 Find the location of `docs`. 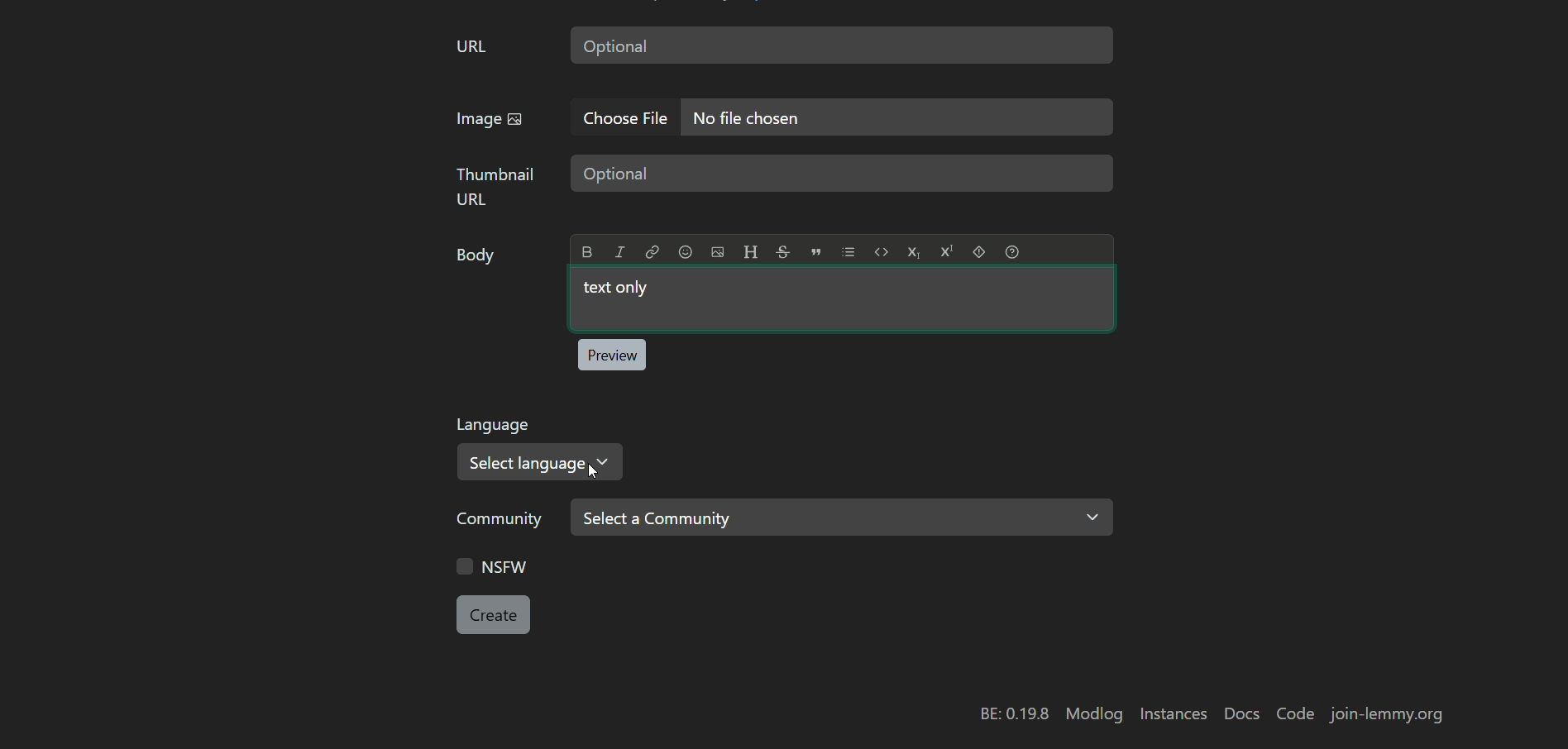

docs is located at coordinates (1242, 715).